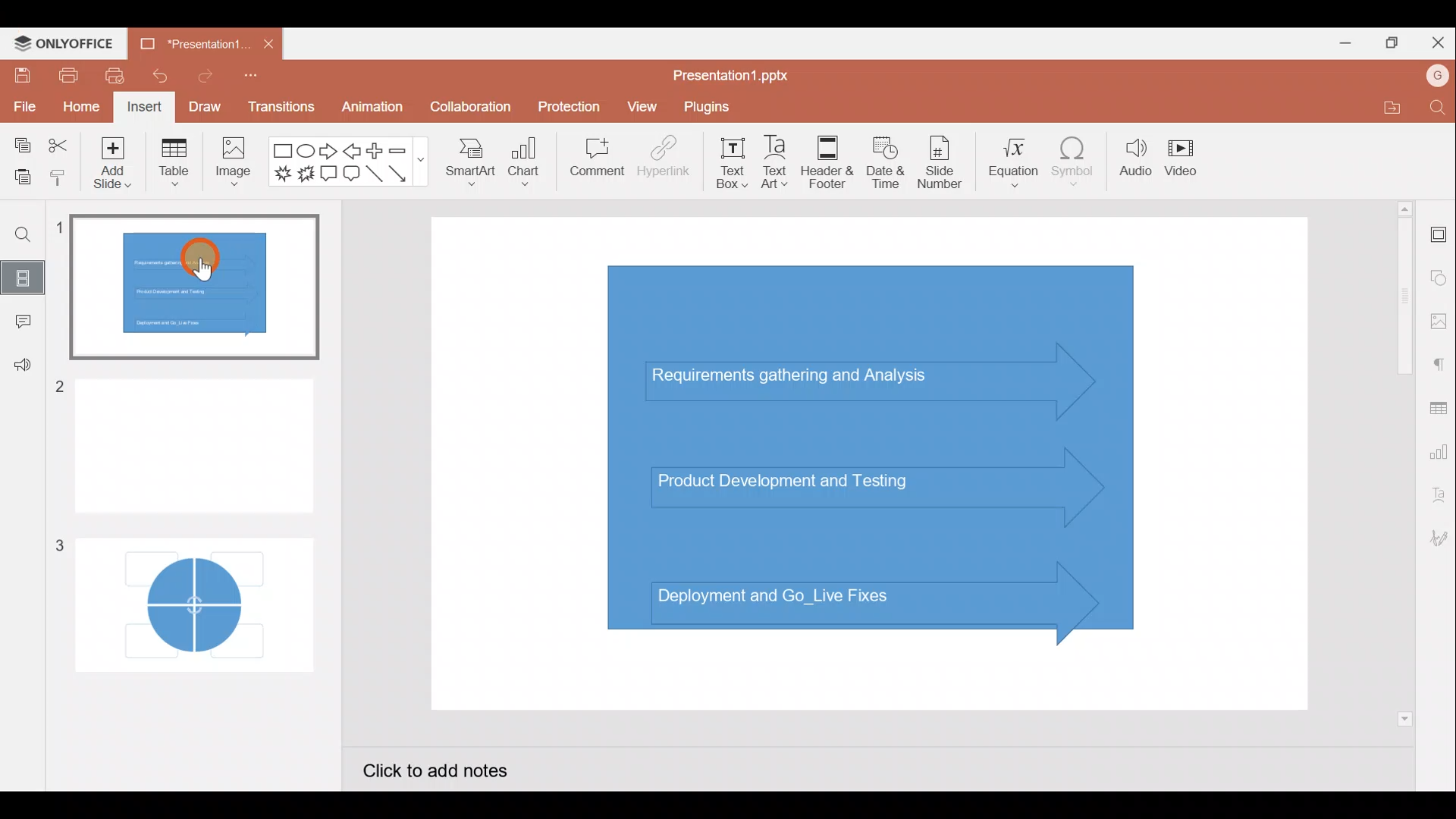 Image resolution: width=1456 pixels, height=819 pixels. What do you see at coordinates (115, 76) in the screenshot?
I see `Quick print` at bounding box center [115, 76].